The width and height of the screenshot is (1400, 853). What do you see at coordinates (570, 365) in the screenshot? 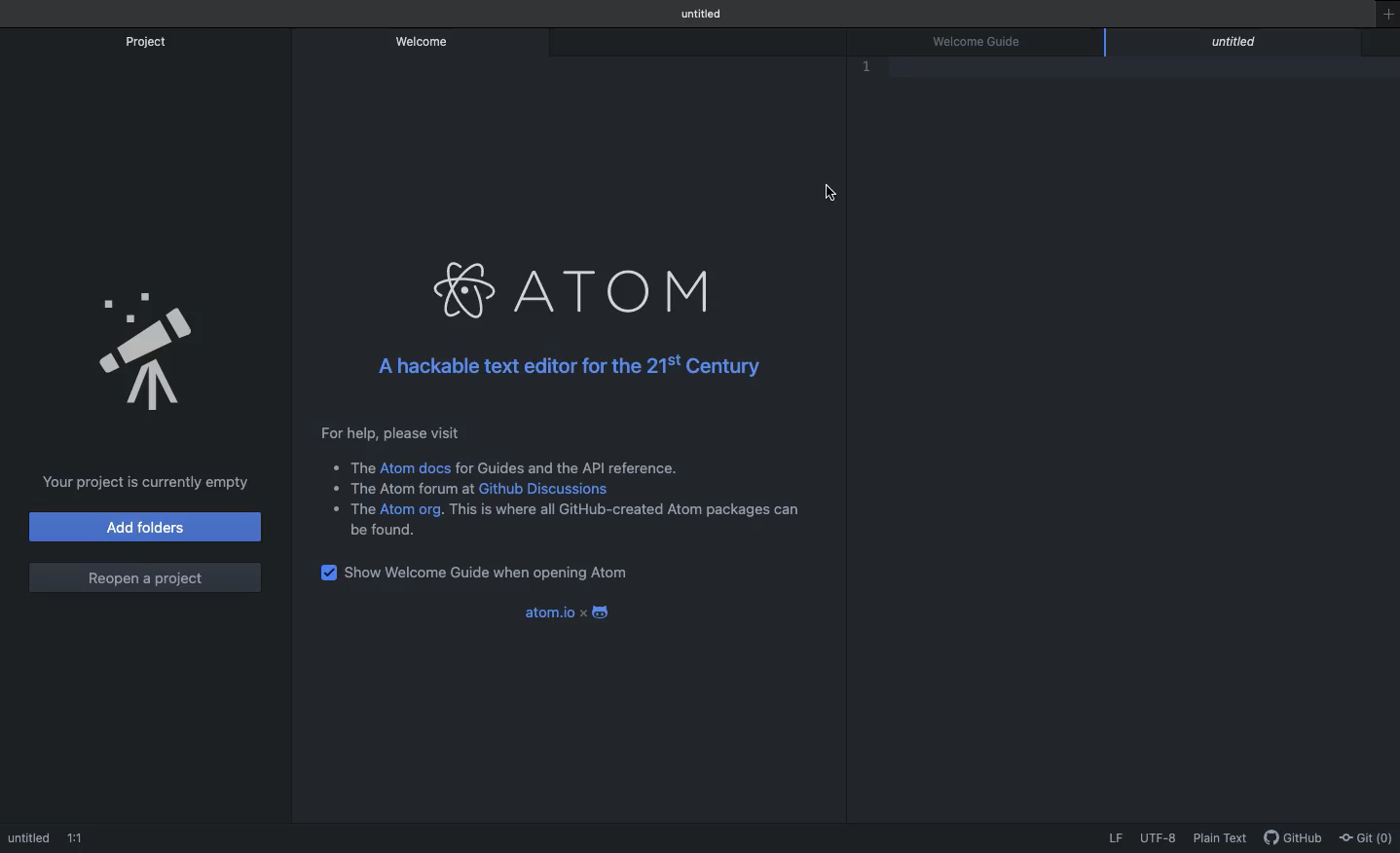
I see `A hackable text editor` at bounding box center [570, 365].